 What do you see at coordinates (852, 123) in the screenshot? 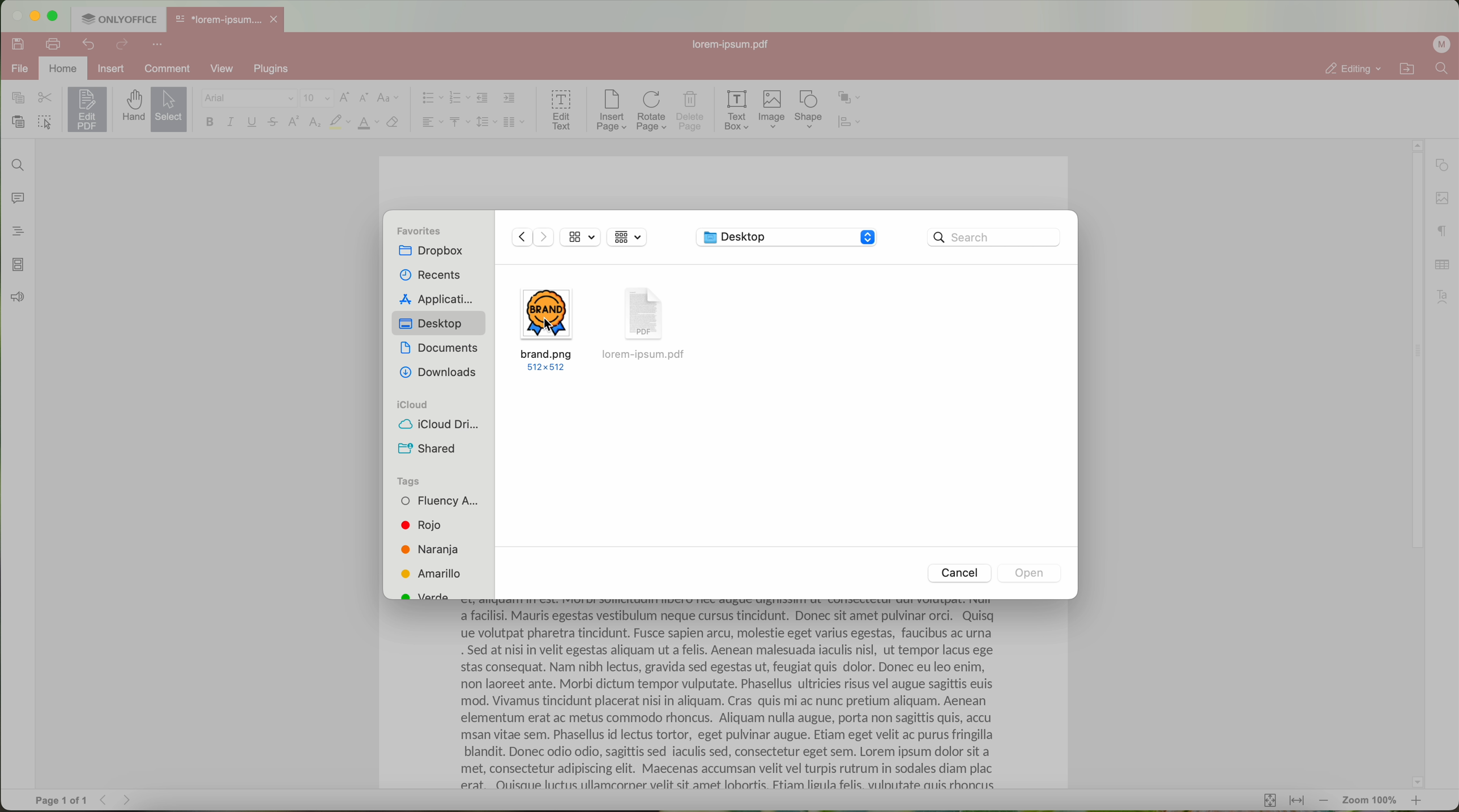
I see `align shape` at bounding box center [852, 123].